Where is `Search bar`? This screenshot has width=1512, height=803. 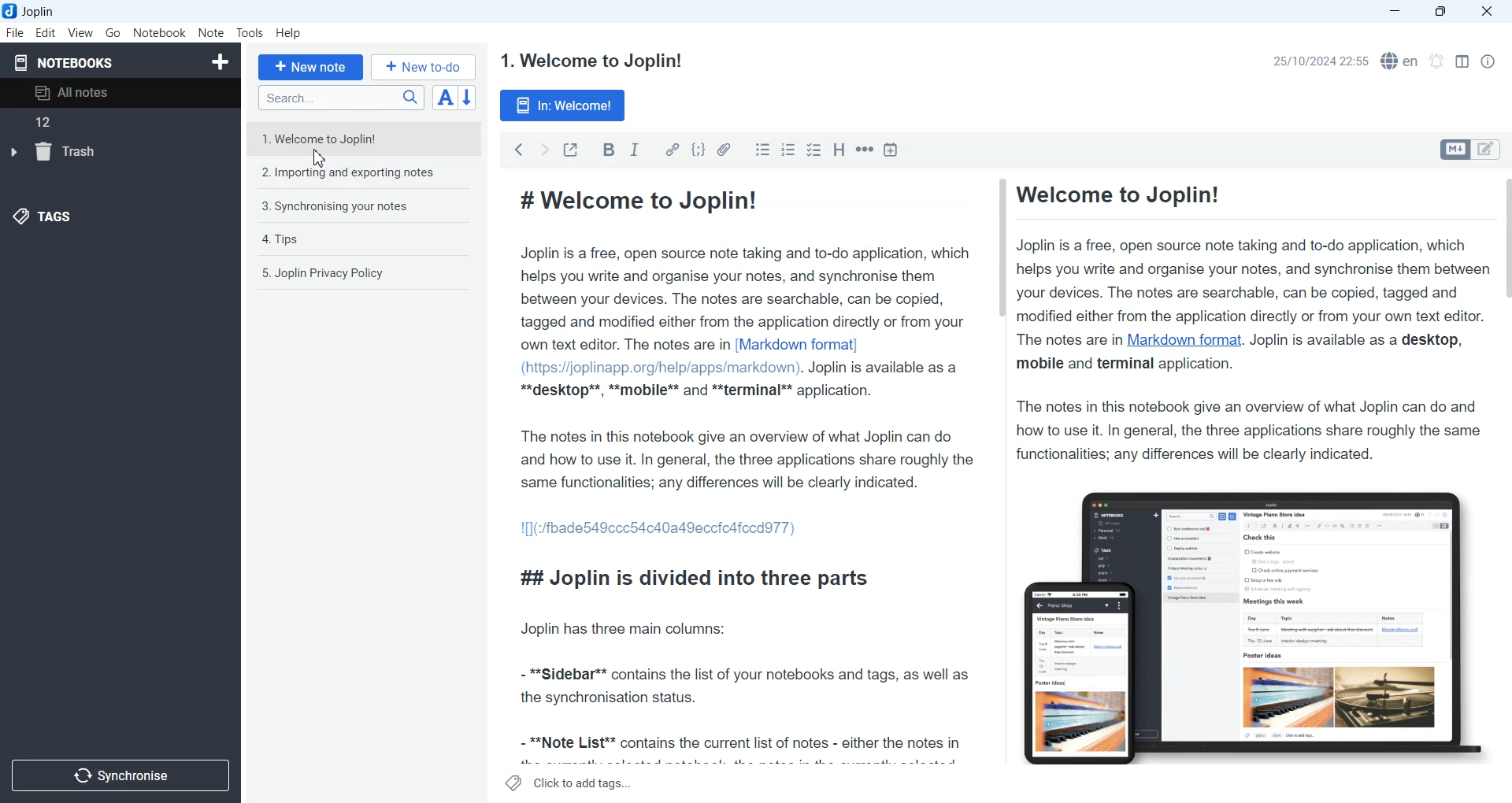 Search bar is located at coordinates (341, 98).